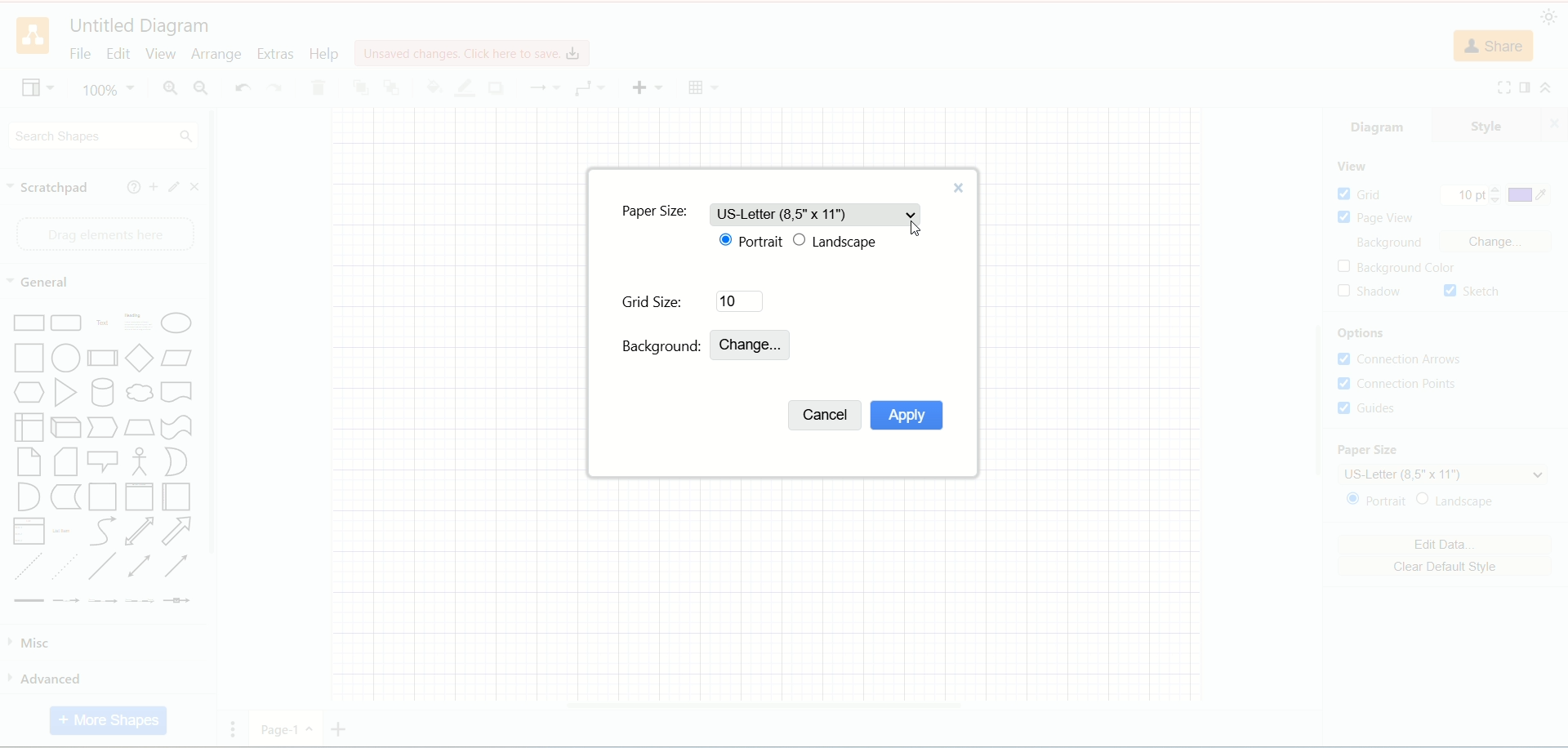 The height and width of the screenshot is (748, 1568). What do you see at coordinates (161, 54) in the screenshot?
I see `view` at bounding box center [161, 54].